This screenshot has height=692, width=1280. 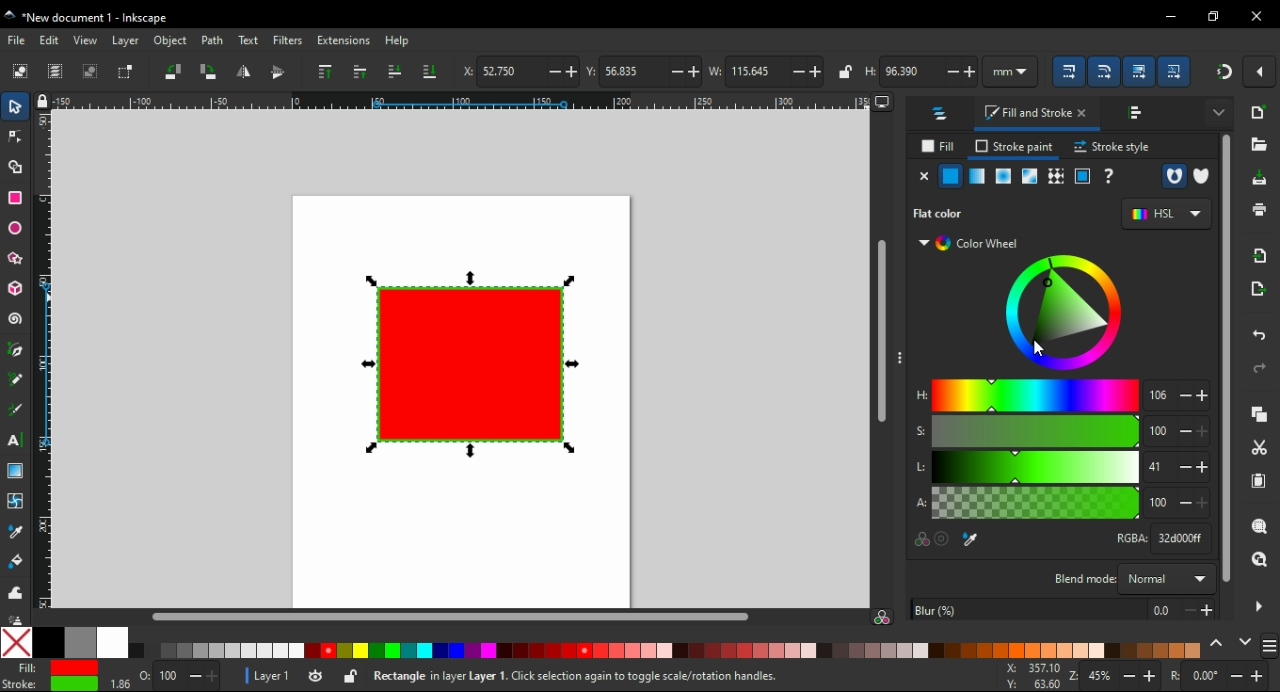 What do you see at coordinates (249, 40) in the screenshot?
I see `text` at bounding box center [249, 40].